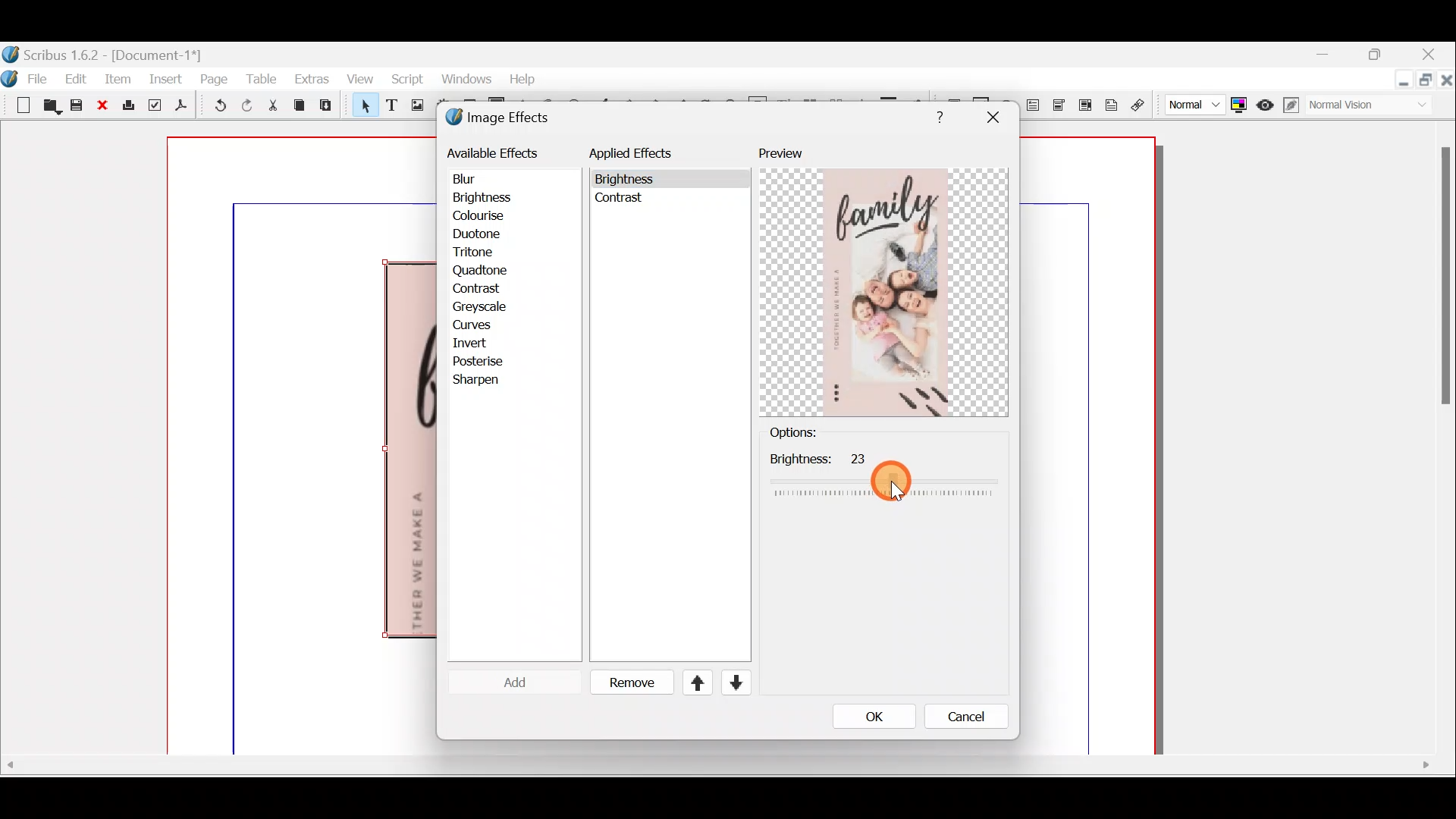 The width and height of the screenshot is (1456, 819). What do you see at coordinates (483, 325) in the screenshot?
I see `Curves` at bounding box center [483, 325].